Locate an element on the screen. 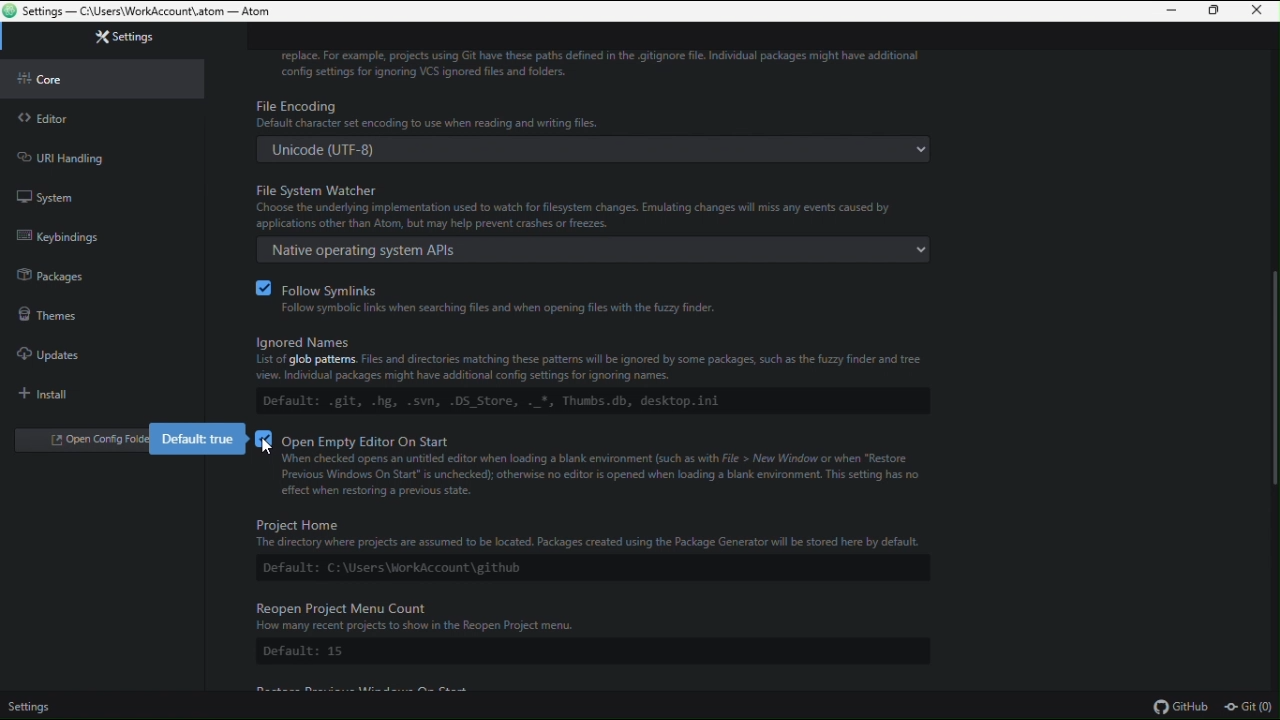 The width and height of the screenshot is (1280, 720). ignored names is located at coordinates (594, 352).